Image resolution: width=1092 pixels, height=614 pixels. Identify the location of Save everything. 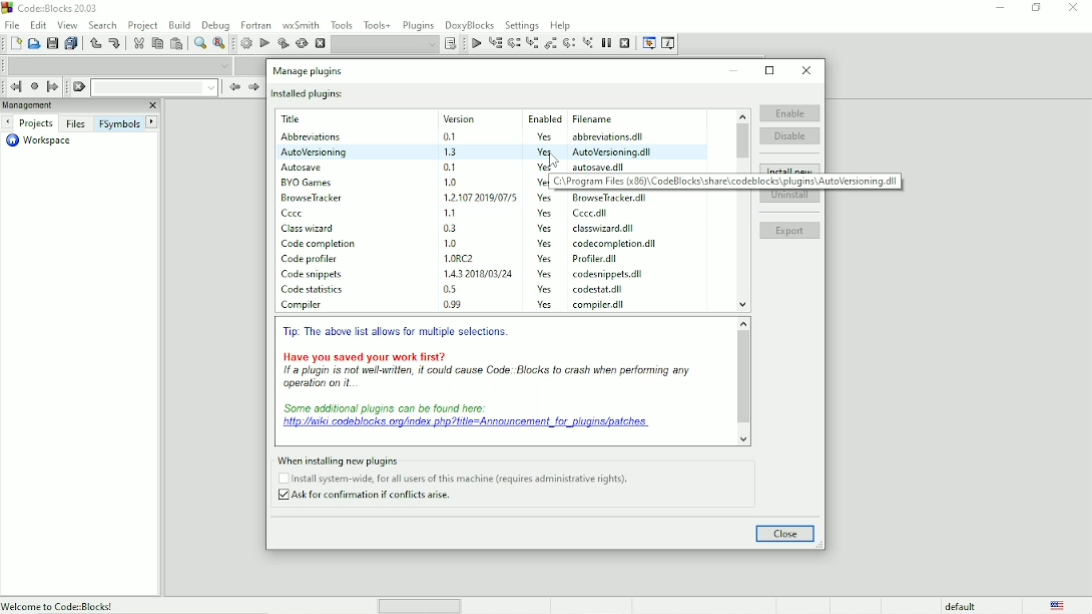
(72, 44).